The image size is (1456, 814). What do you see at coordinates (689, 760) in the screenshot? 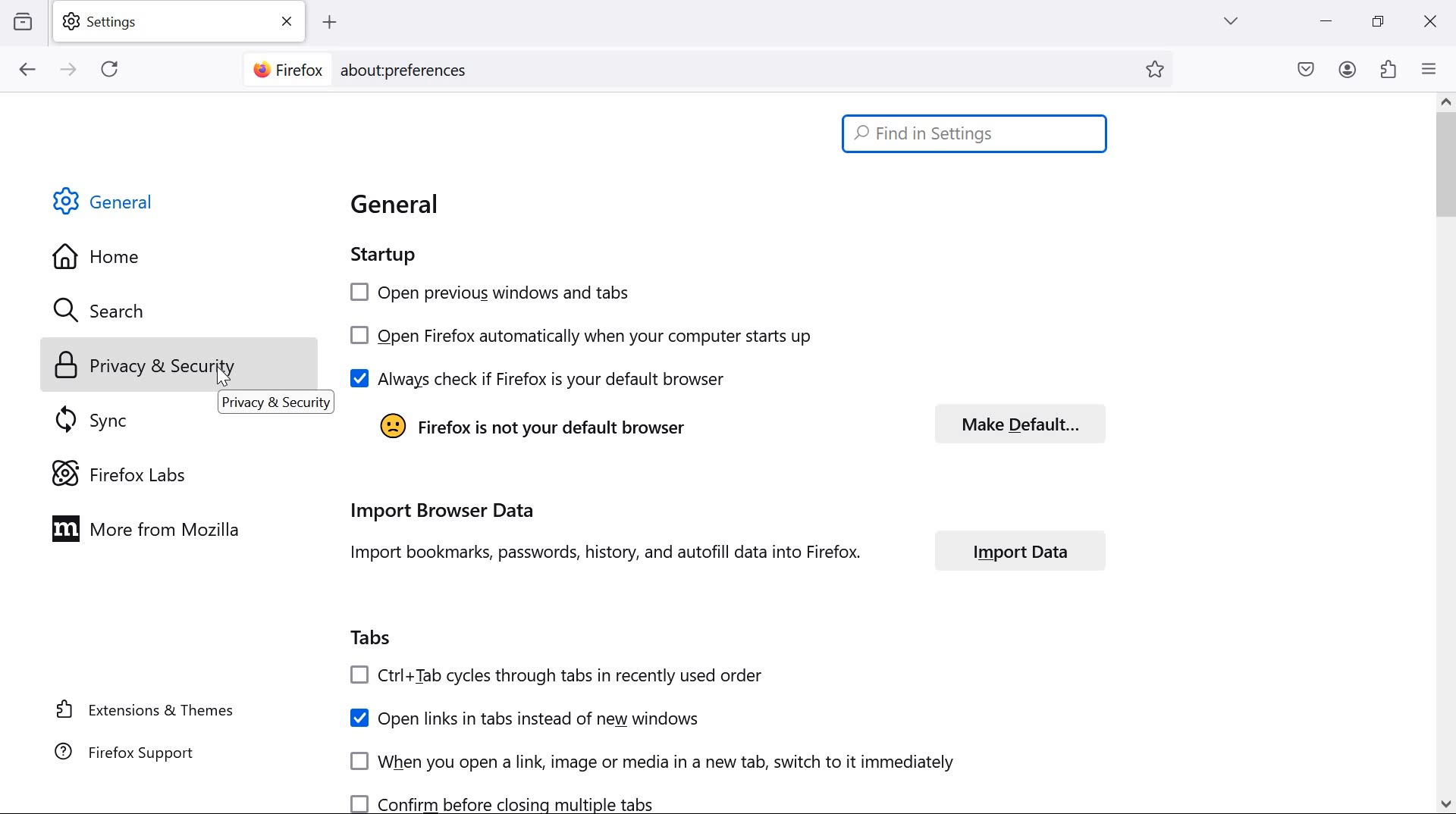
I see `When you open a link, image or media in a new tab, switch to it immediately` at bounding box center [689, 760].